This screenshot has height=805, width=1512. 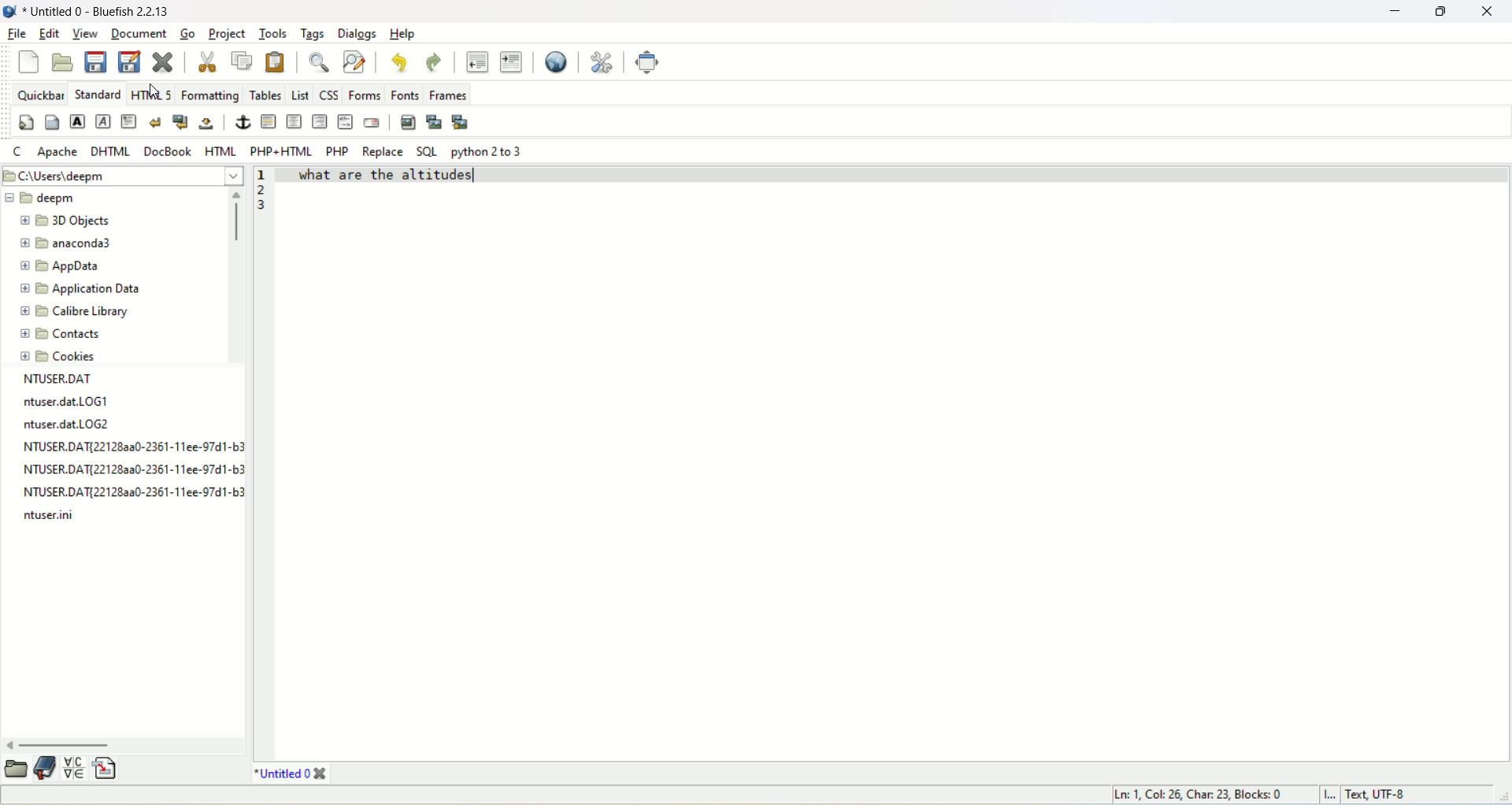 I want to click on application, so click(x=82, y=291).